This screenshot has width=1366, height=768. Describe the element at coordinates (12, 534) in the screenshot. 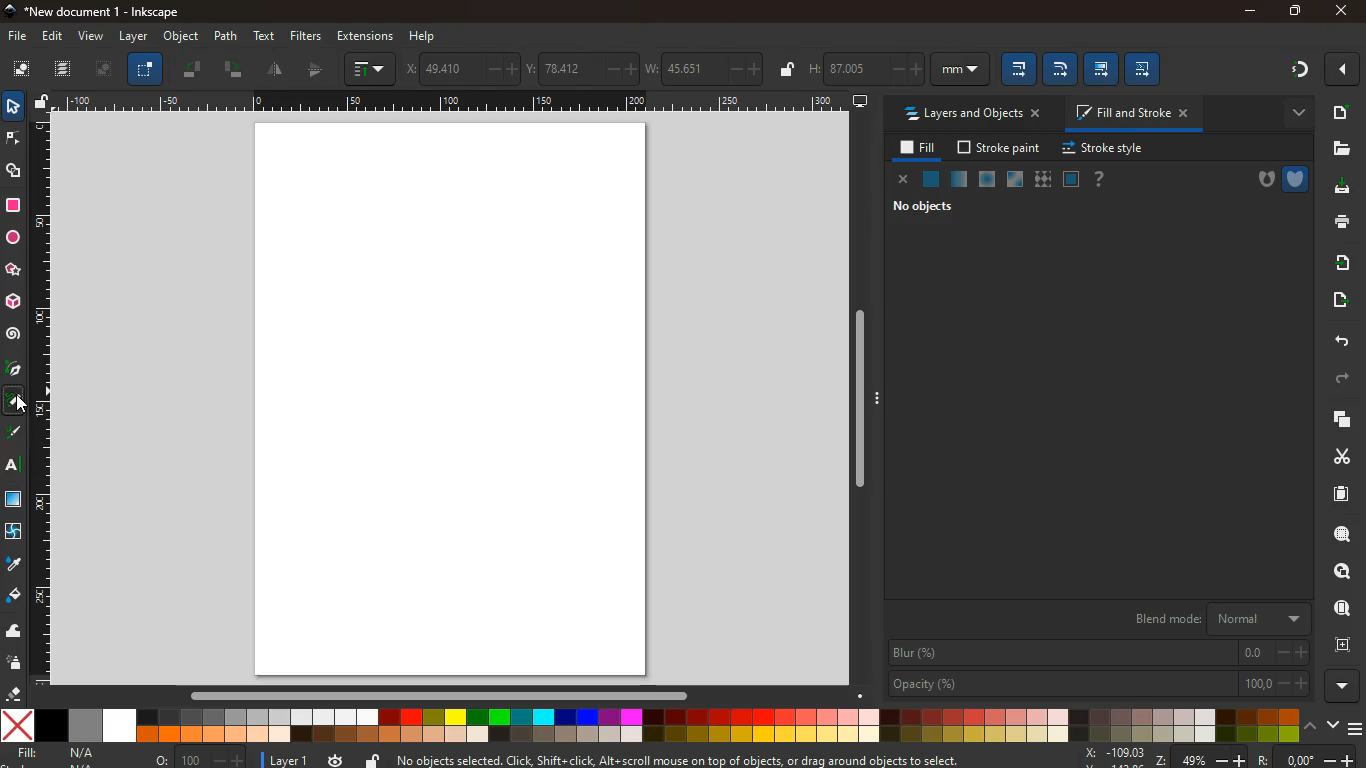

I see `twist` at that location.